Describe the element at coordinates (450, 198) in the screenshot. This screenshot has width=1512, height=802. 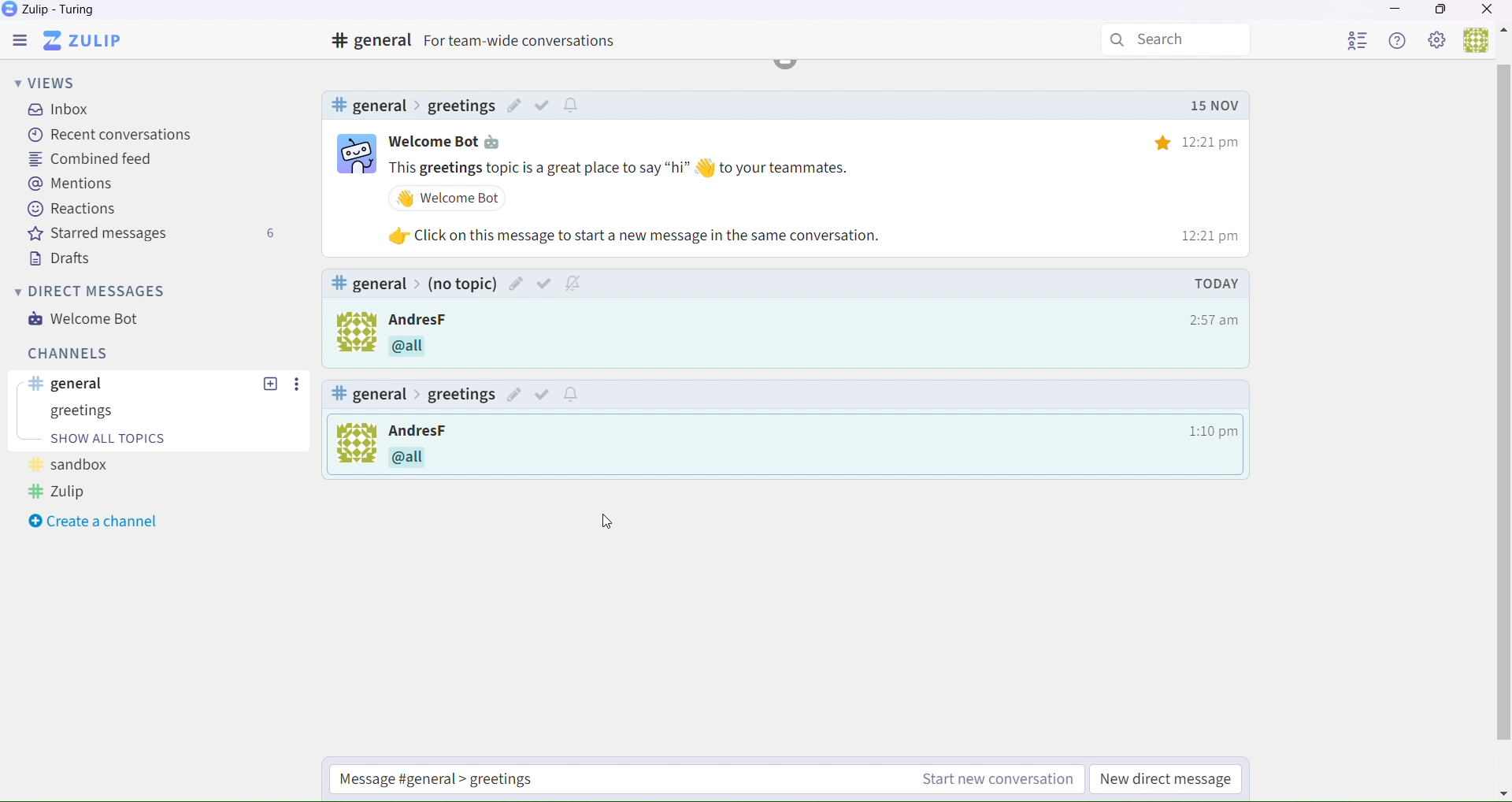
I see `` at that location.